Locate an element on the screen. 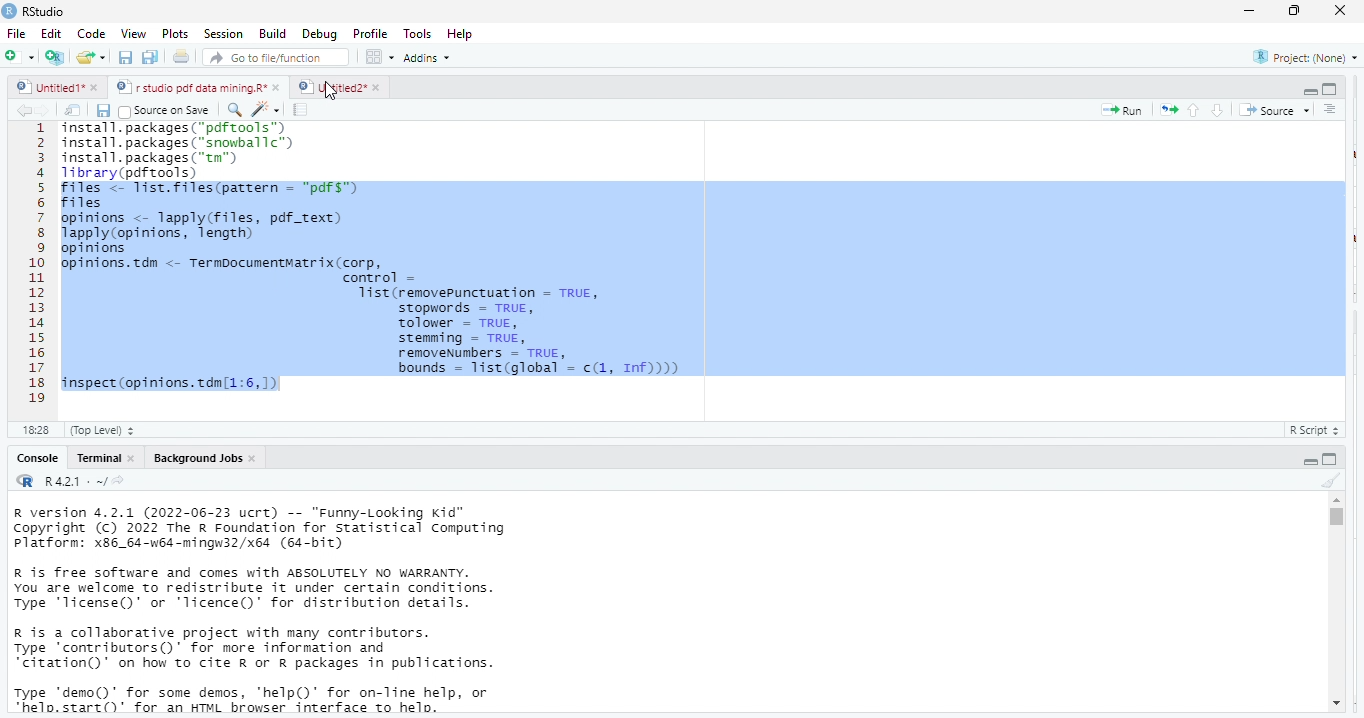 This screenshot has height=718, width=1364. hide r script is located at coordinates (1310, 92).